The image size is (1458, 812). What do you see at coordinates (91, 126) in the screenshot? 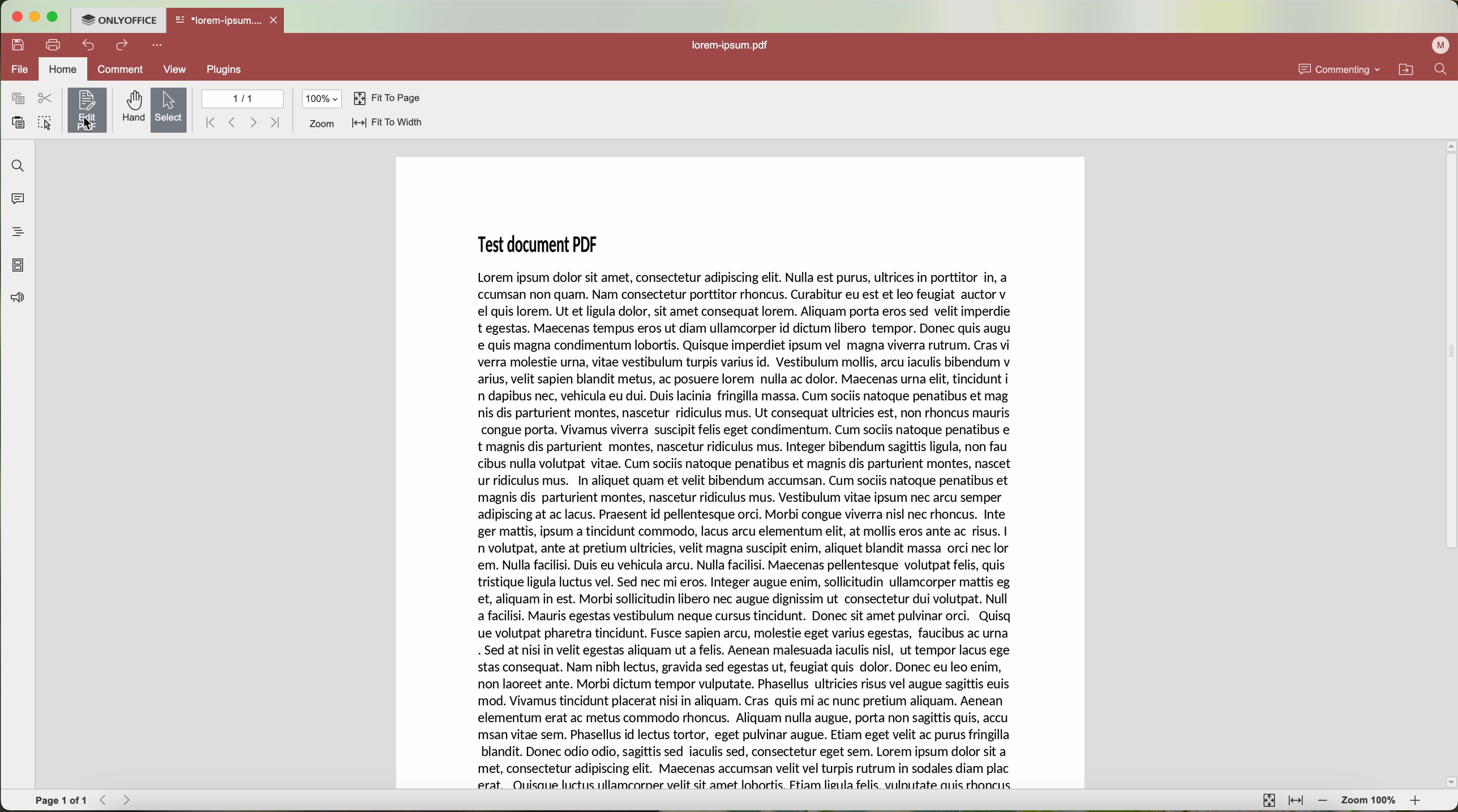
I see `cursor` at bounding box center [91, 126].